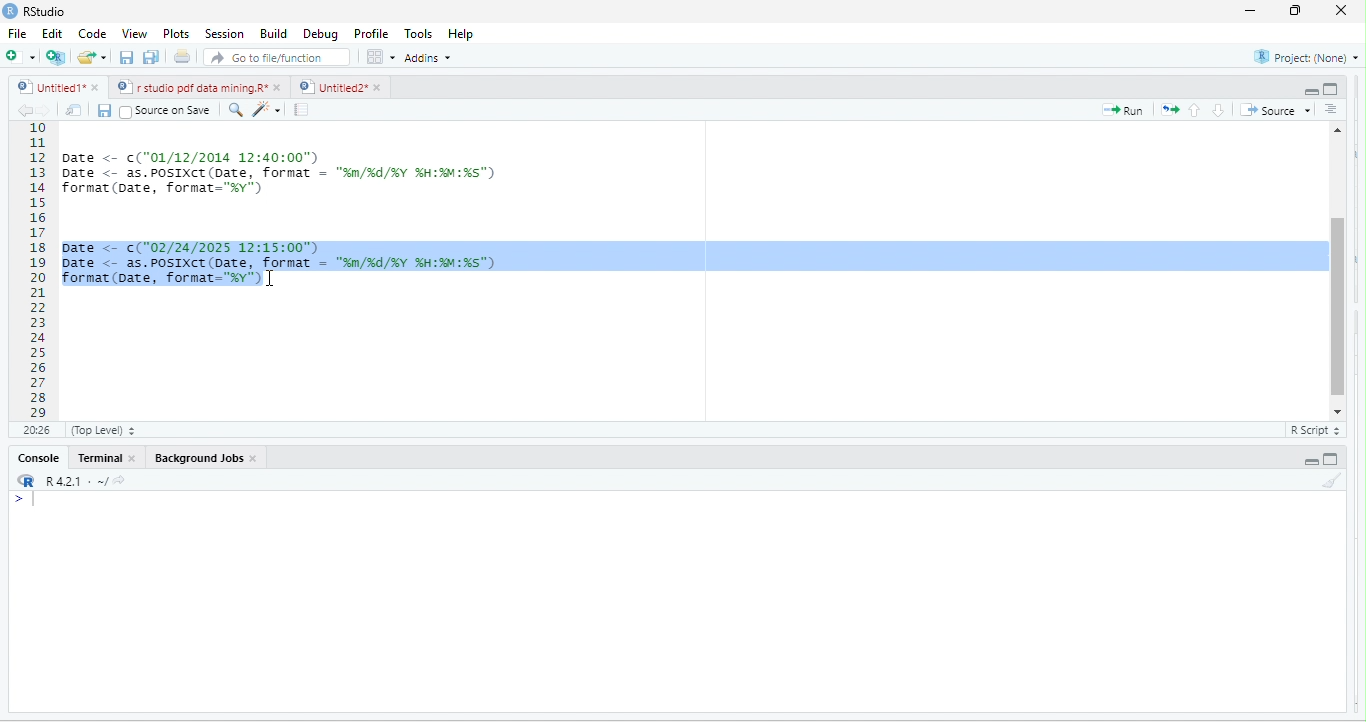 This screenshot has width=1366, height=722. I want to click on Source , so click(1277, 110).